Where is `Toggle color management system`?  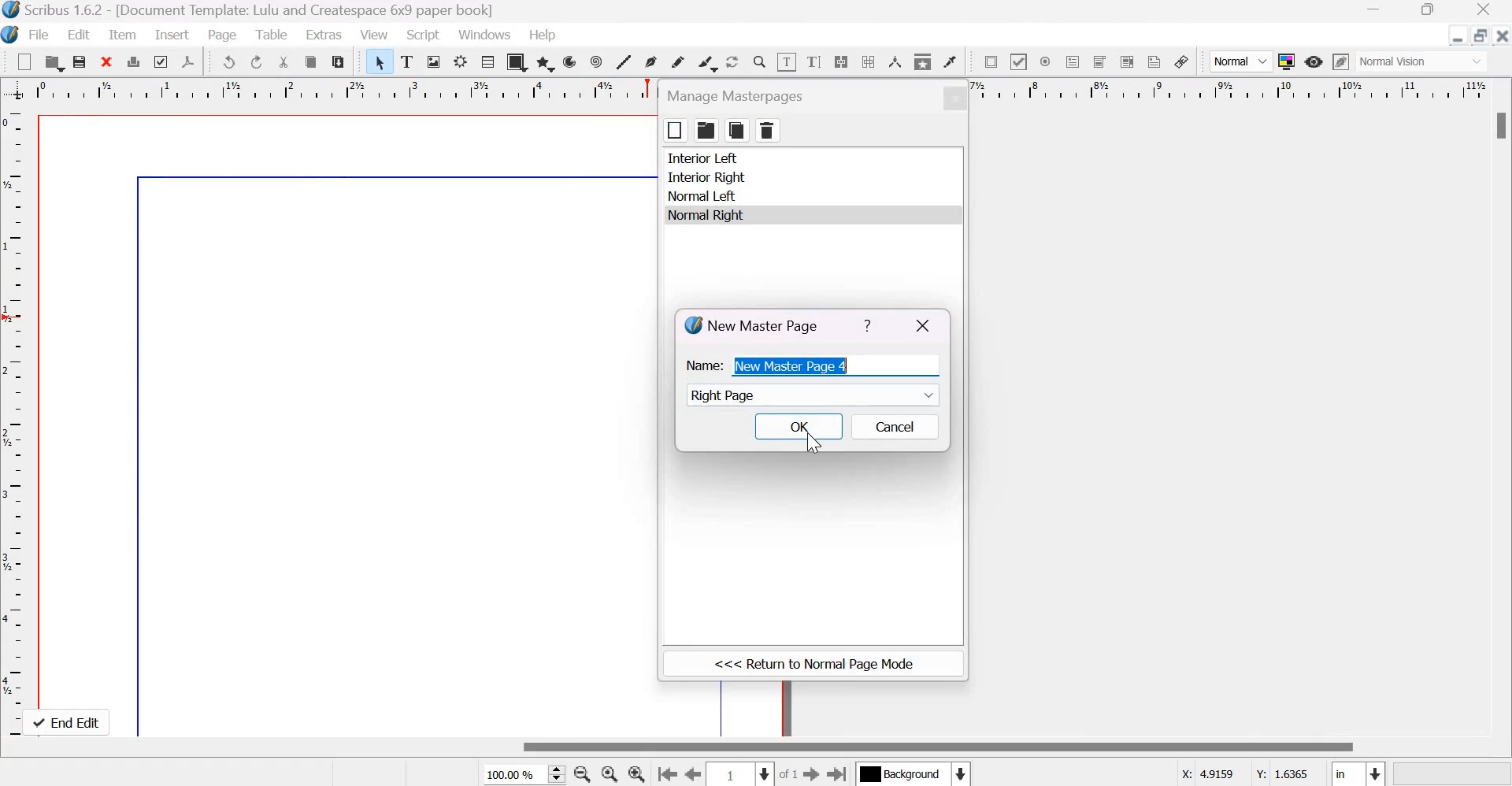 Toggle color management system is located at coordinates (1287, 61).